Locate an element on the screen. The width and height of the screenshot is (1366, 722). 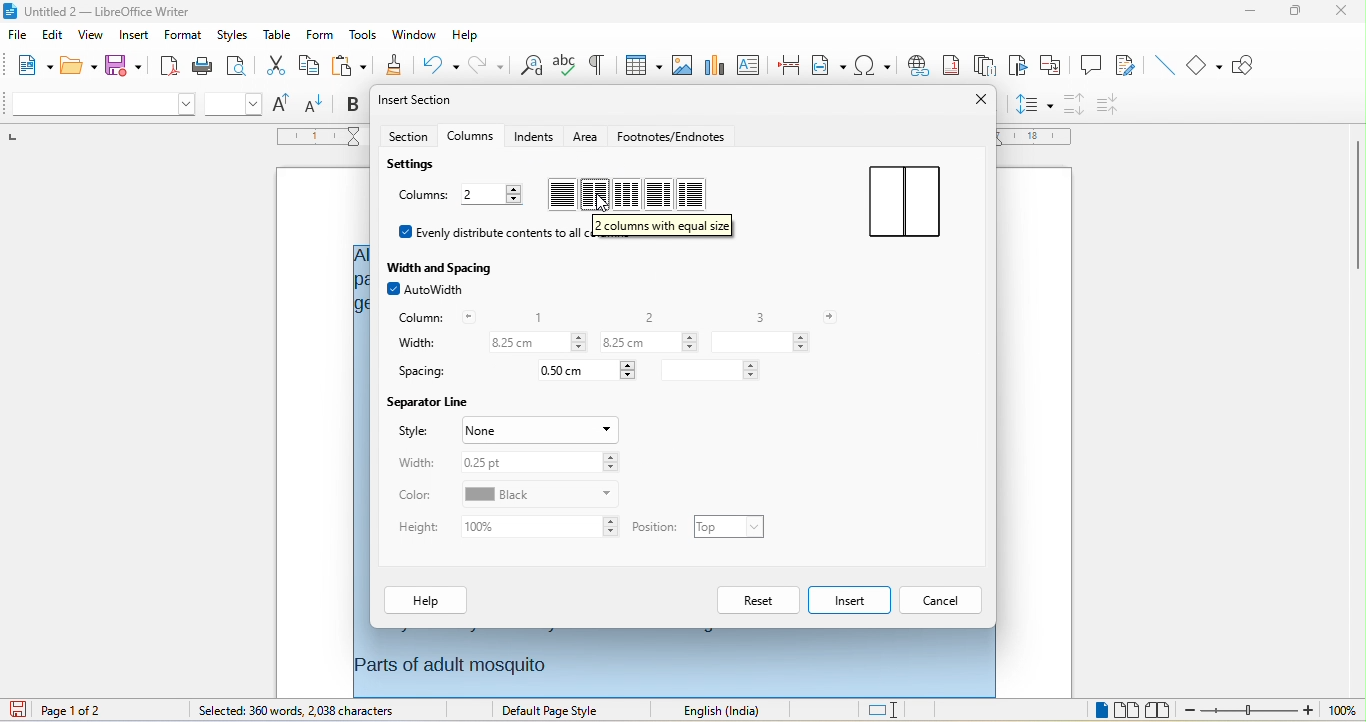
default page style is located at coordinates (553, 711).